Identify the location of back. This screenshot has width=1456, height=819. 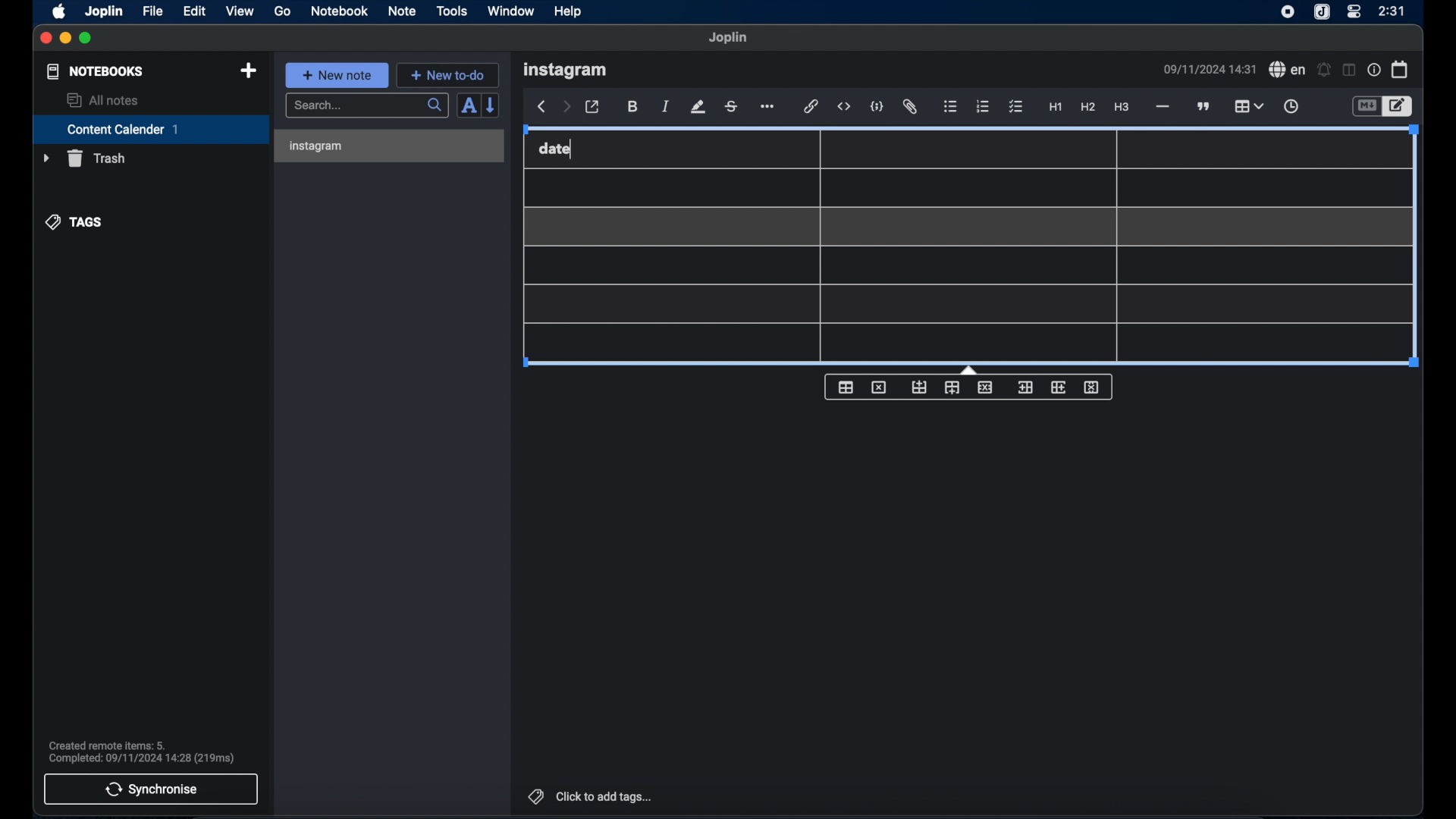
(539, 107).